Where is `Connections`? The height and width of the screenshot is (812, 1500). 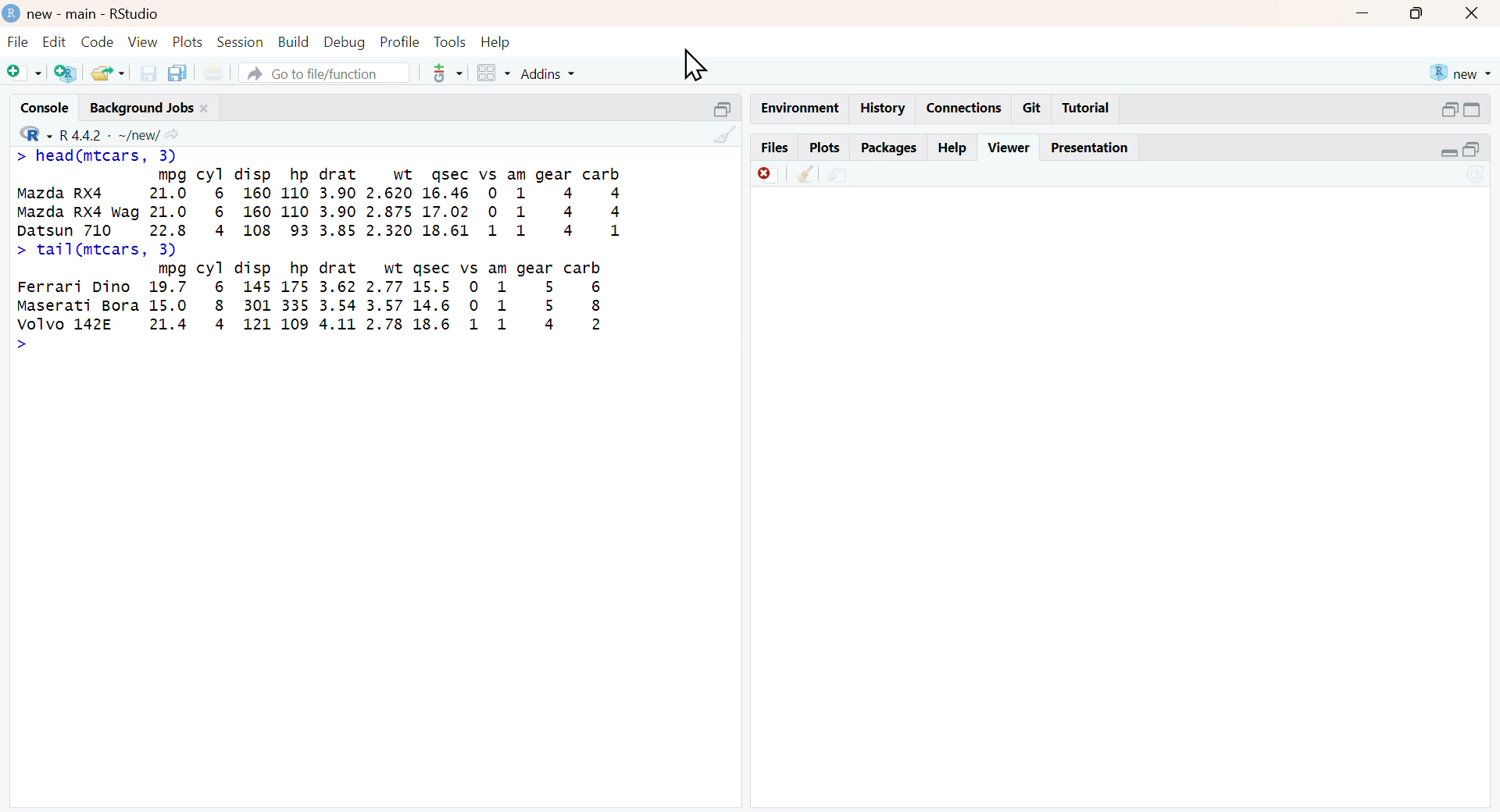
Connections is located at coordinates (962, 106).